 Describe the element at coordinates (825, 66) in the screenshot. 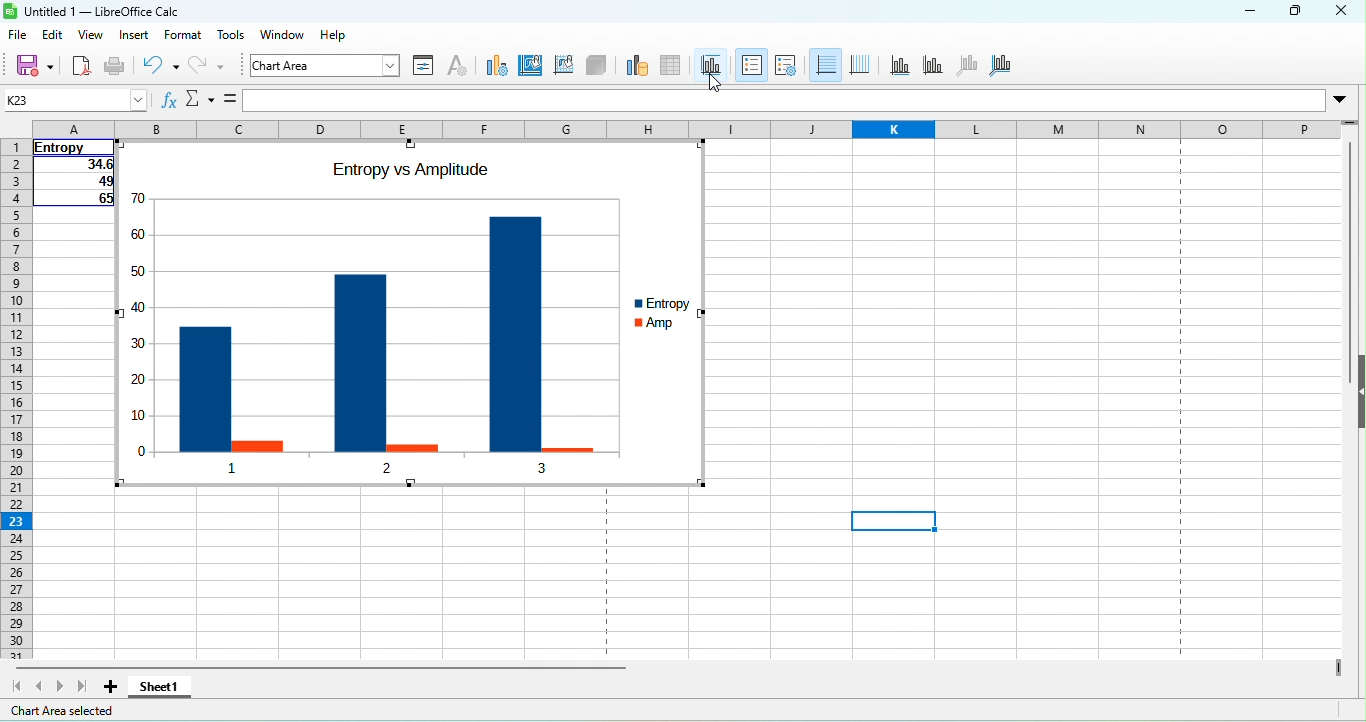

I see `horizontal gids` at that location.